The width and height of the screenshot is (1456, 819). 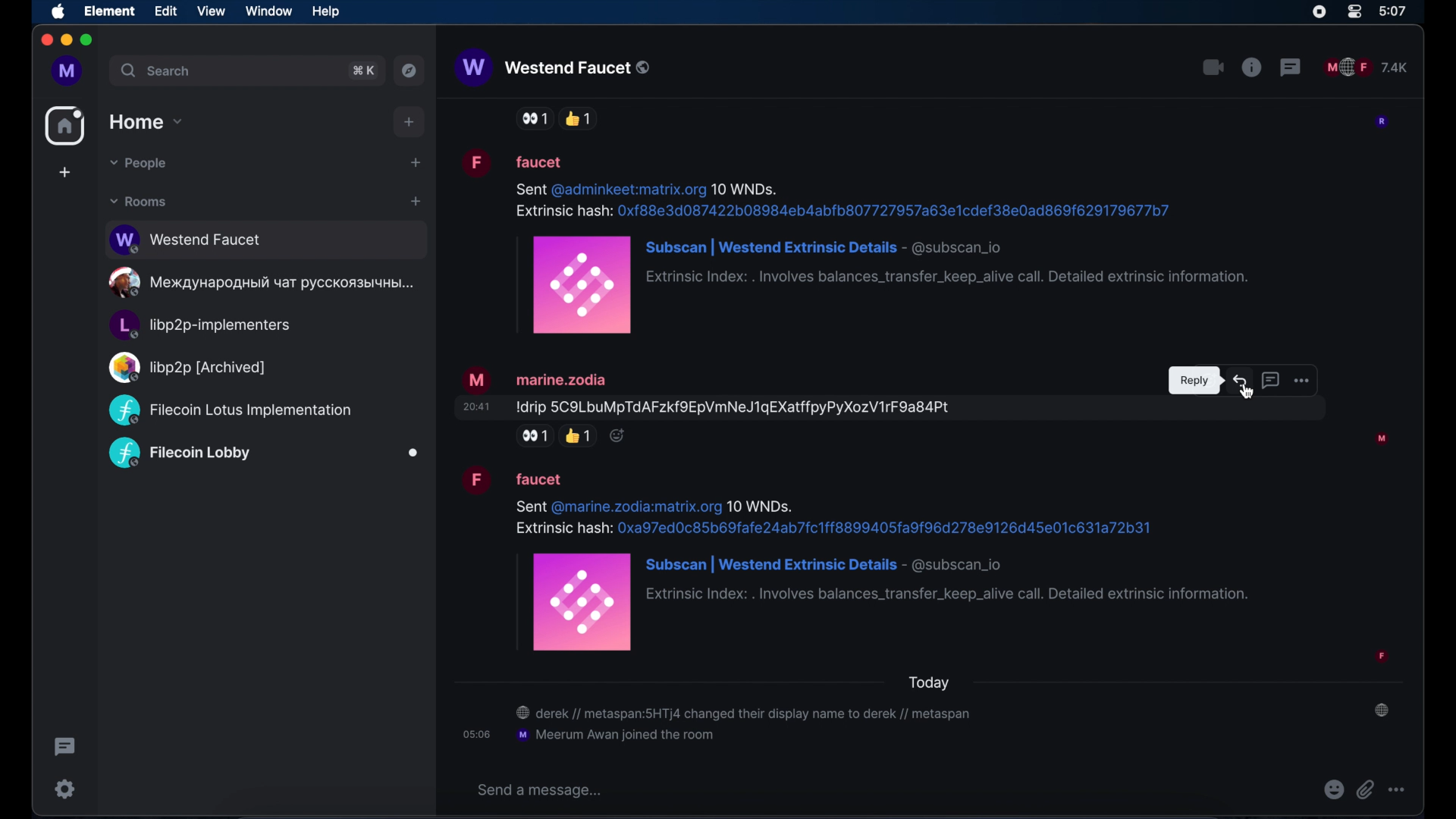 What do you see at coordinates (1291, 67) in the screenshot?
I see `threads` at bounding box center [1291, 67].